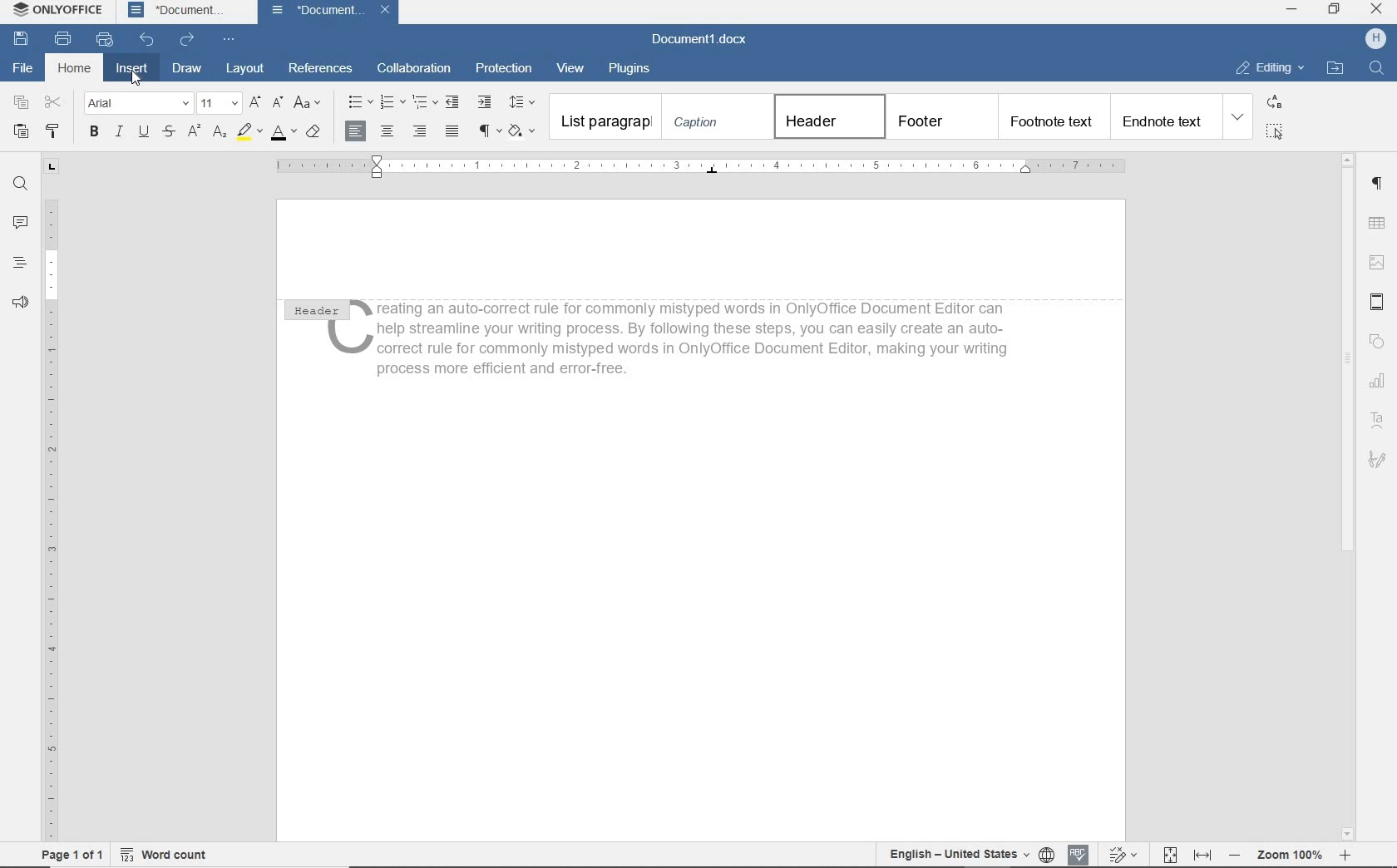 The image size is (1397, 868). What do you see at coordinates (162, 855) in the screenshot?
I see `Word count` at bounding box center [162, 855].